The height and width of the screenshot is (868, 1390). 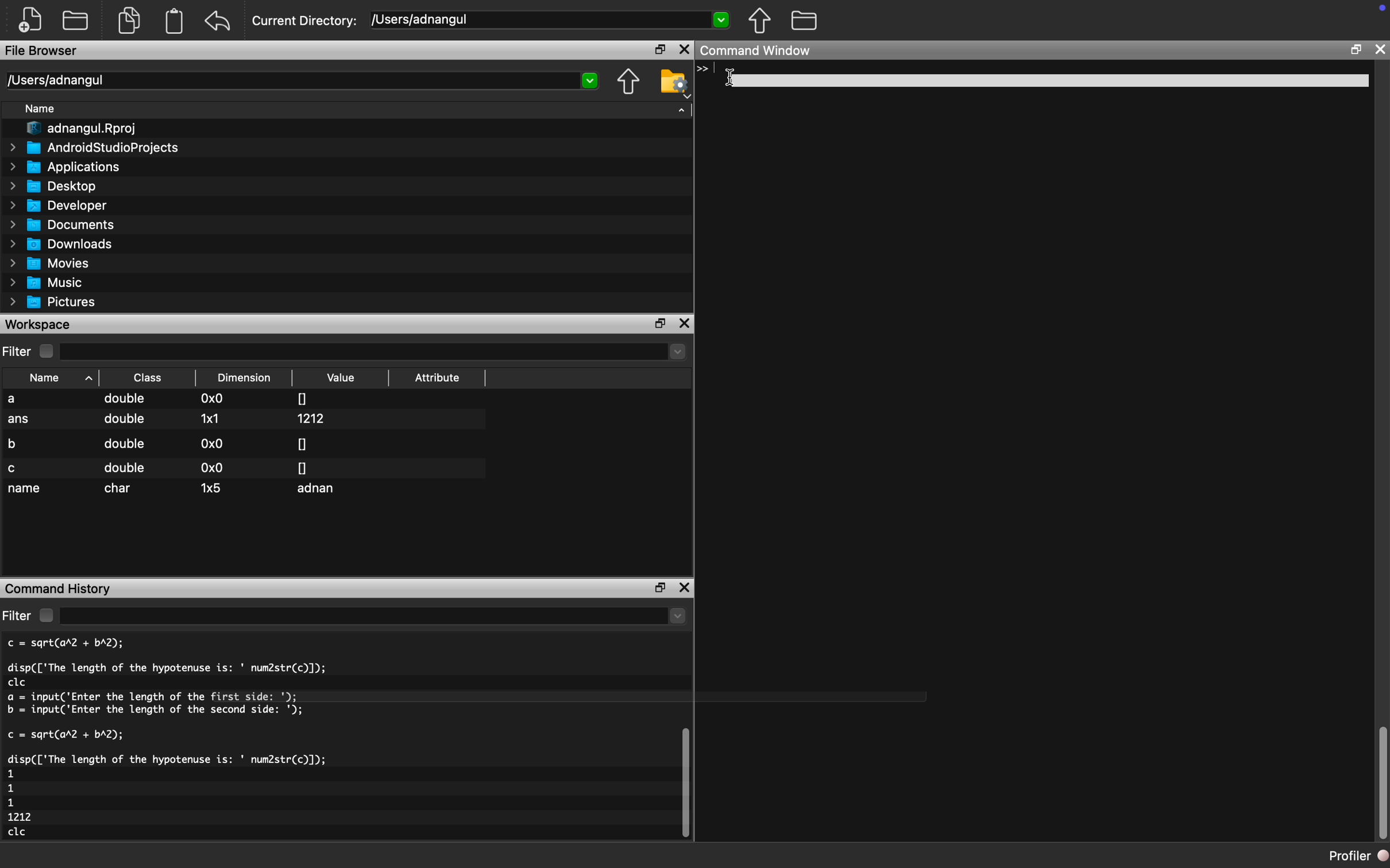 I want to click on /USers/adnangul, so click(x=551, y=20).